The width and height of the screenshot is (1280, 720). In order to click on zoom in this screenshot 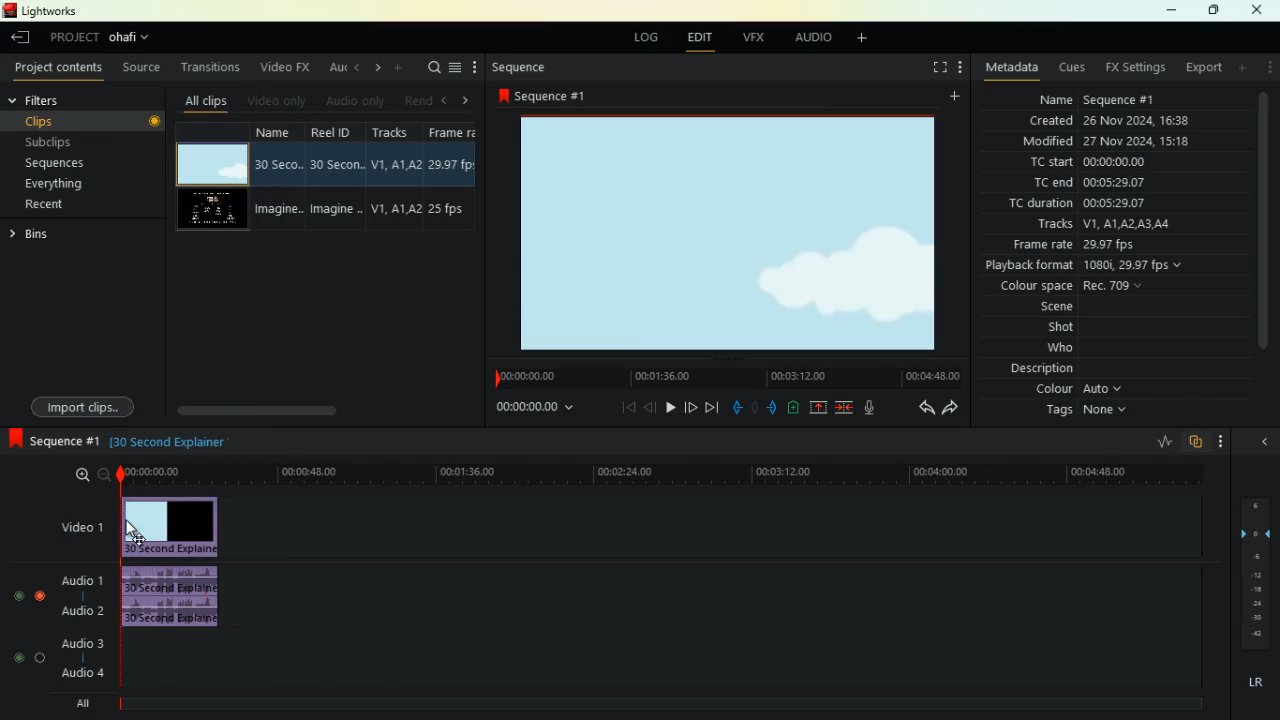, I will do `click(82, 474)`.